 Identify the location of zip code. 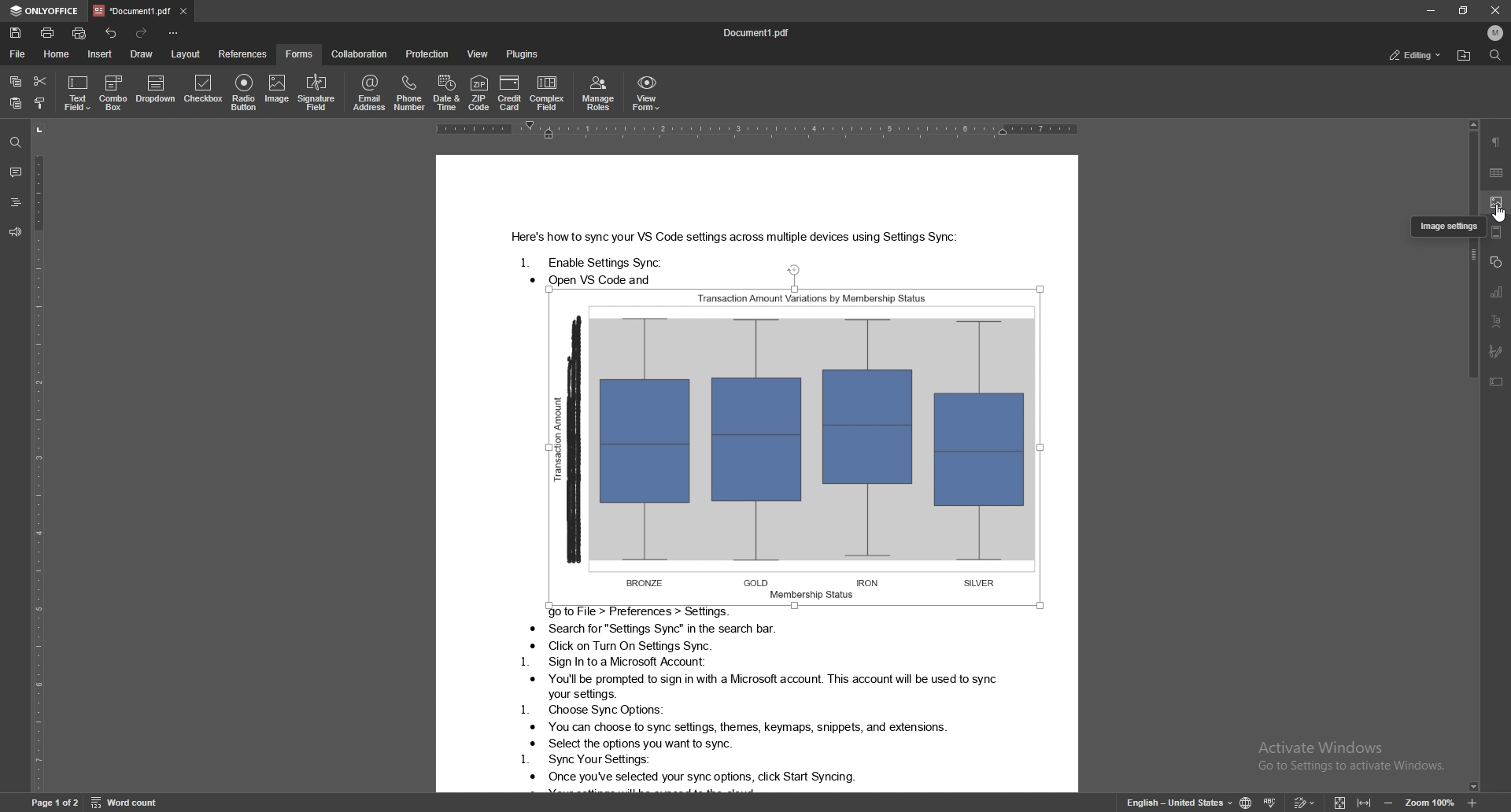
(479, 92).